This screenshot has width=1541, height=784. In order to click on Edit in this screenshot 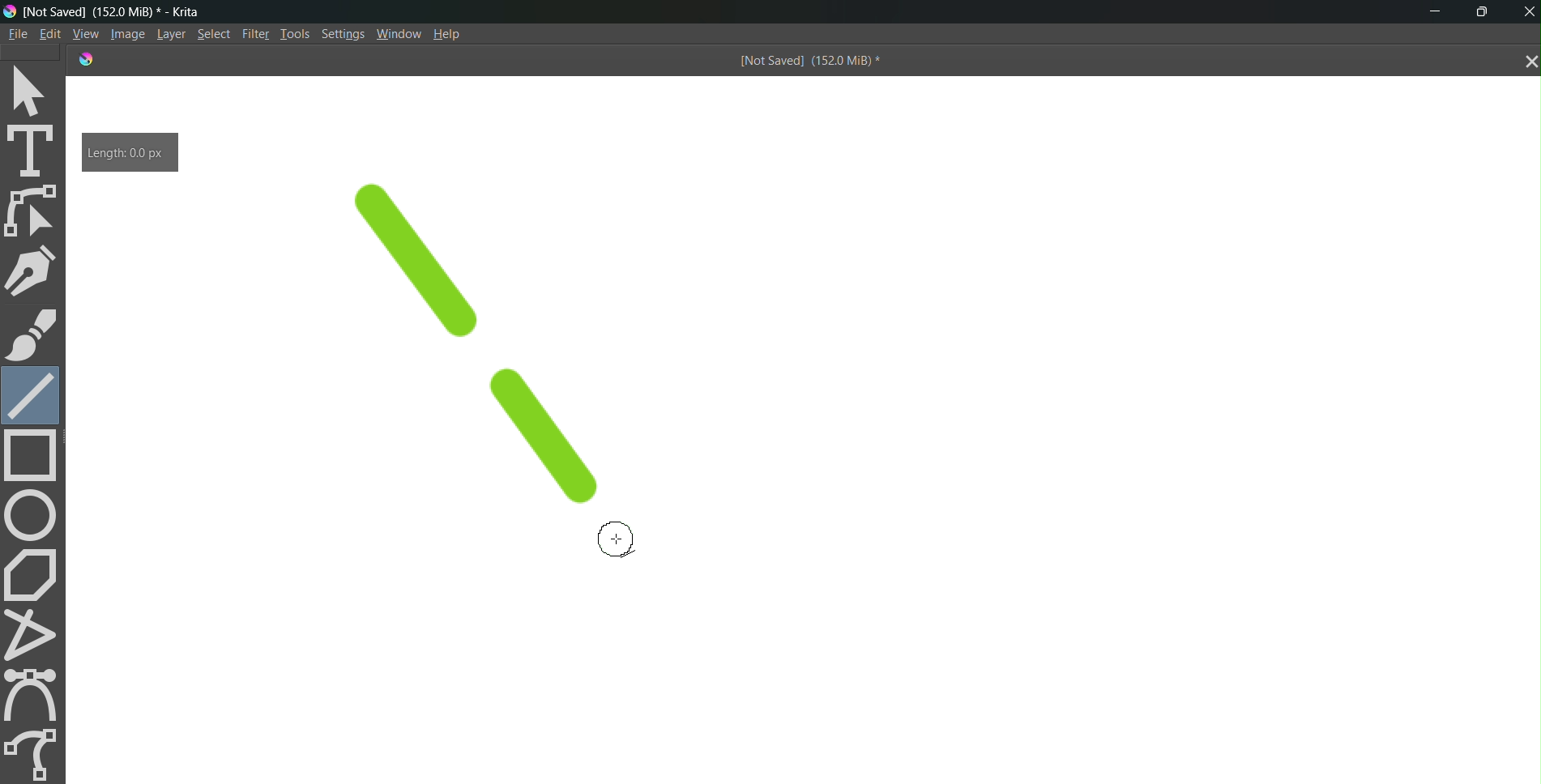, I will do `click(50, 34)`.